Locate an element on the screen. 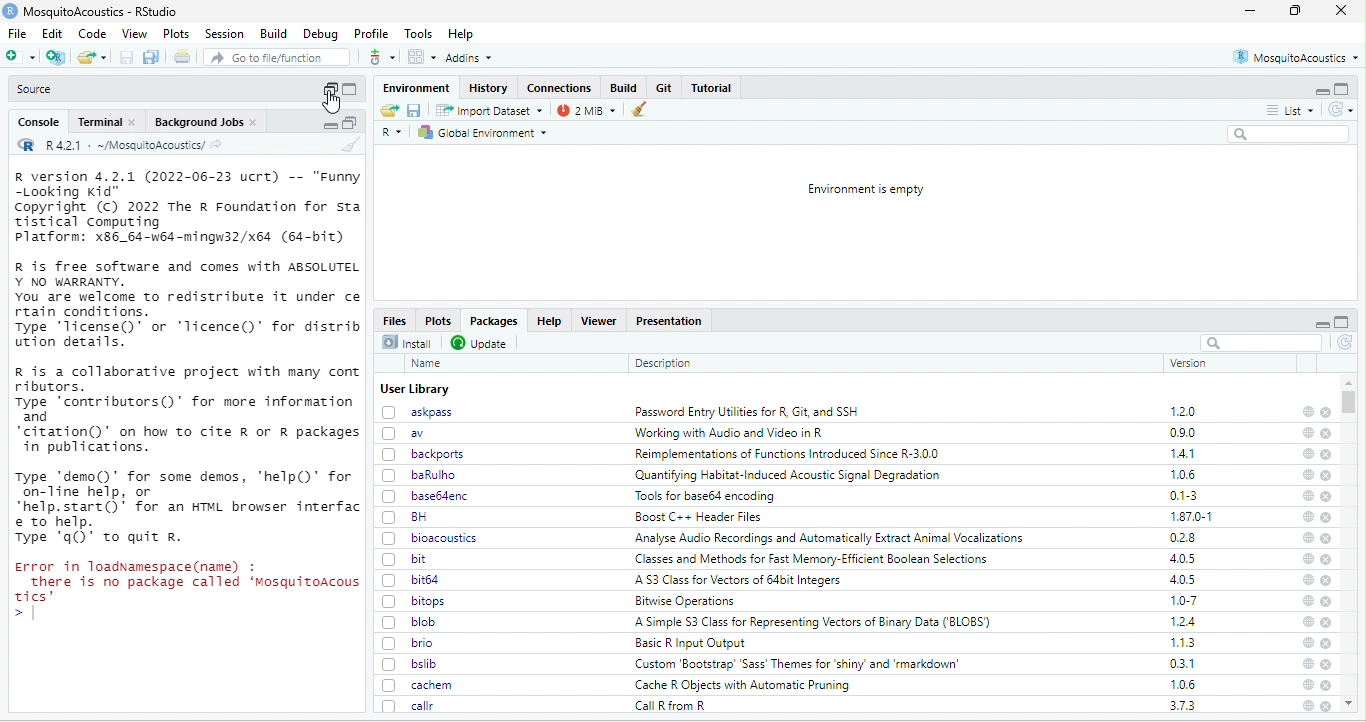 The height and width of the screenshot is (722, 1366). Global Environment is located at coordinates (483, 133).